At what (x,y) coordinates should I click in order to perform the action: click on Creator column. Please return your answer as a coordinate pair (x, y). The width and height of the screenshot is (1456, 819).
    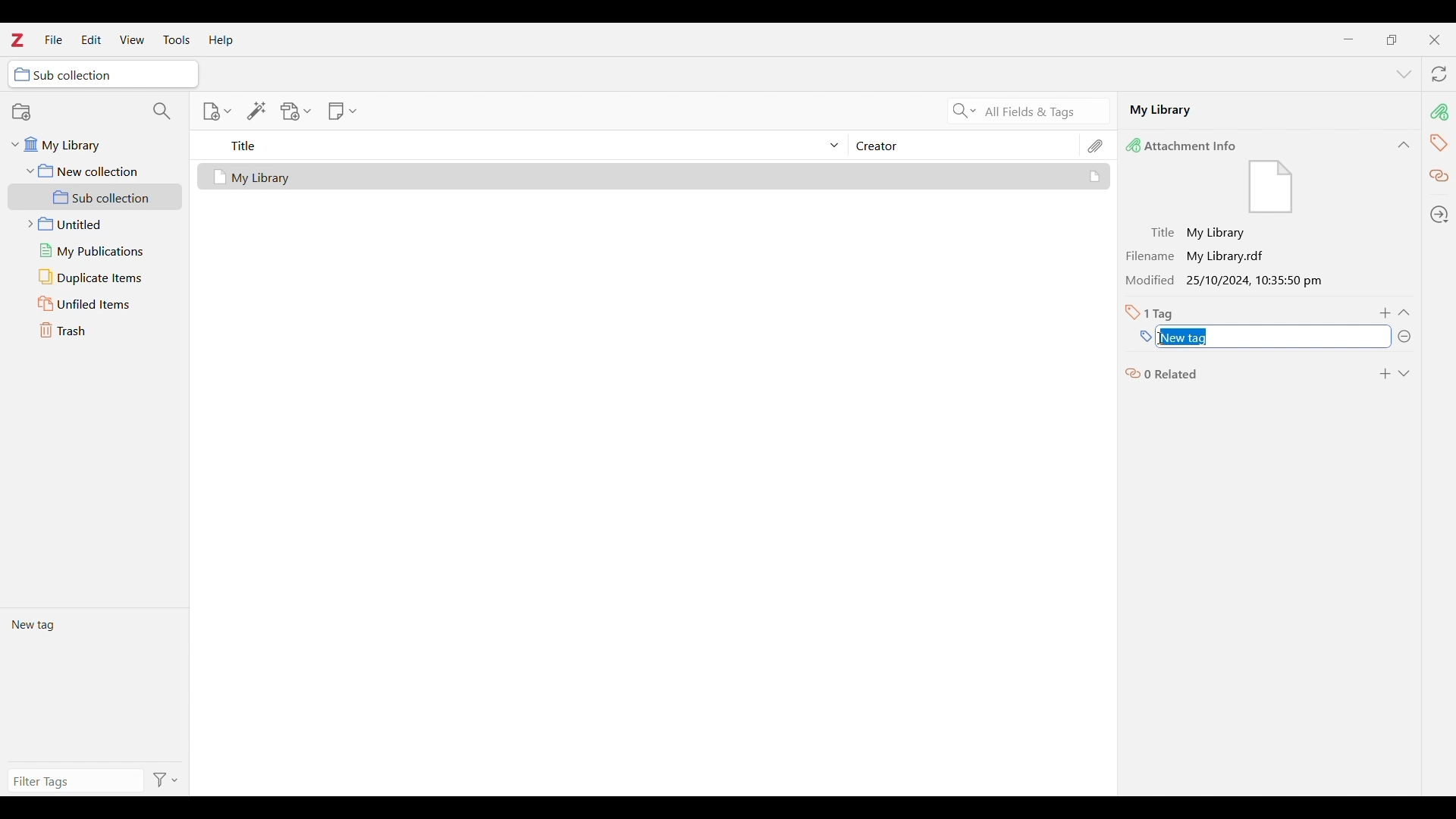
    Looking at the image, I should click on (963, 145).